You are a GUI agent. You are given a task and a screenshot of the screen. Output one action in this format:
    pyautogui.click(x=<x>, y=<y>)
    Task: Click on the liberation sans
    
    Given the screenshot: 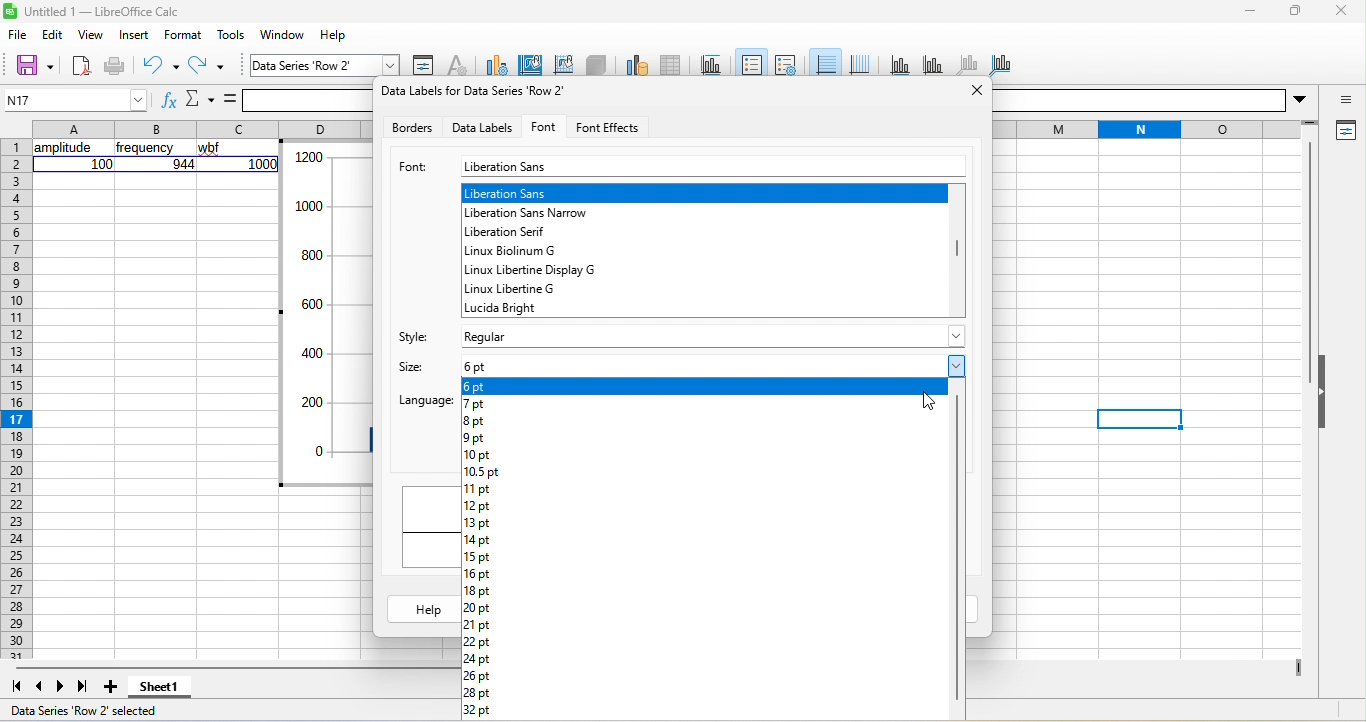 What is the action you would take?
    pyautogui.click(x=715, y=166)
    